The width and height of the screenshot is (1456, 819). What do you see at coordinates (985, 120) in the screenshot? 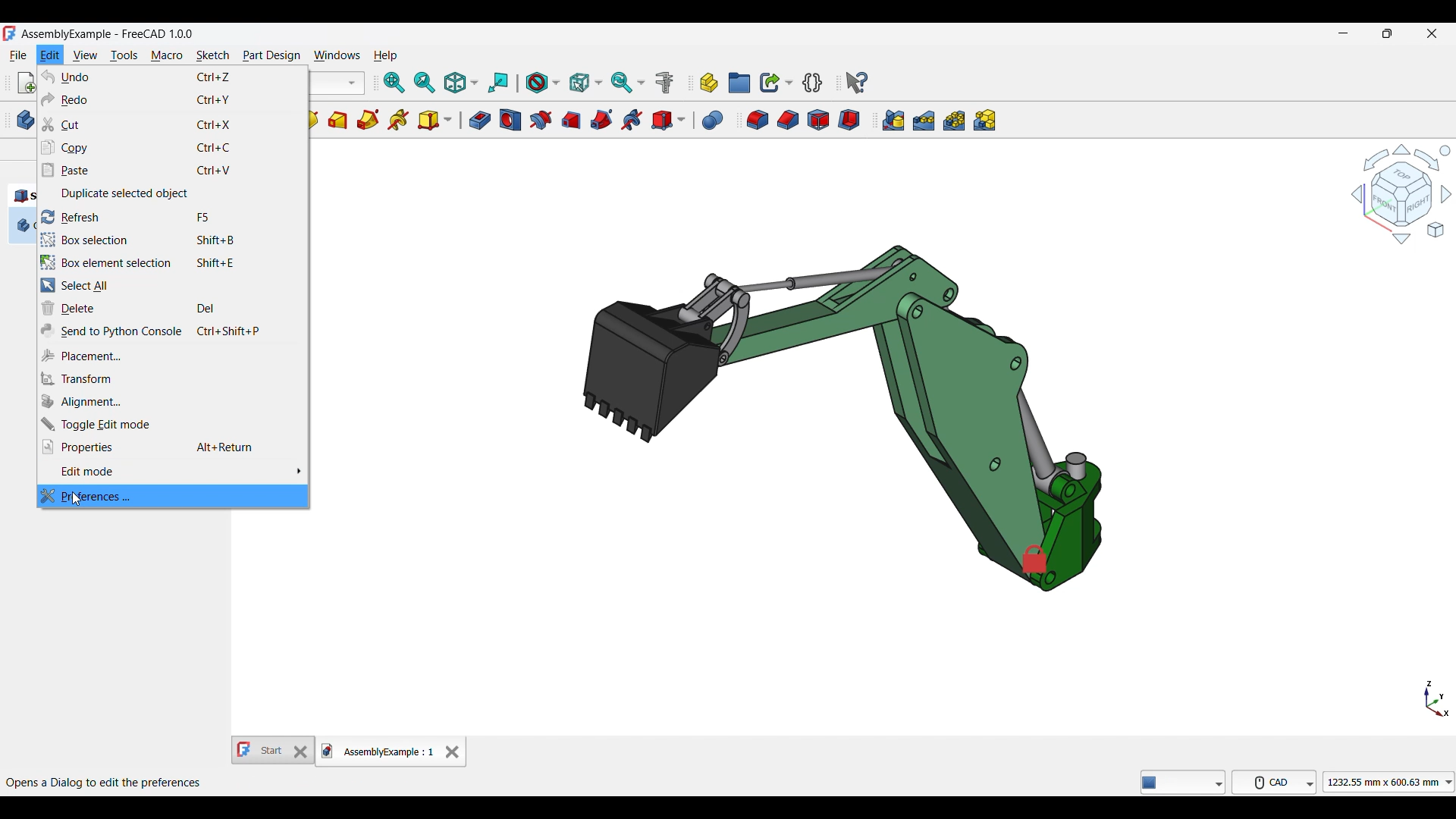
I see `Create multiTransform` at bounding box center [985, 120].